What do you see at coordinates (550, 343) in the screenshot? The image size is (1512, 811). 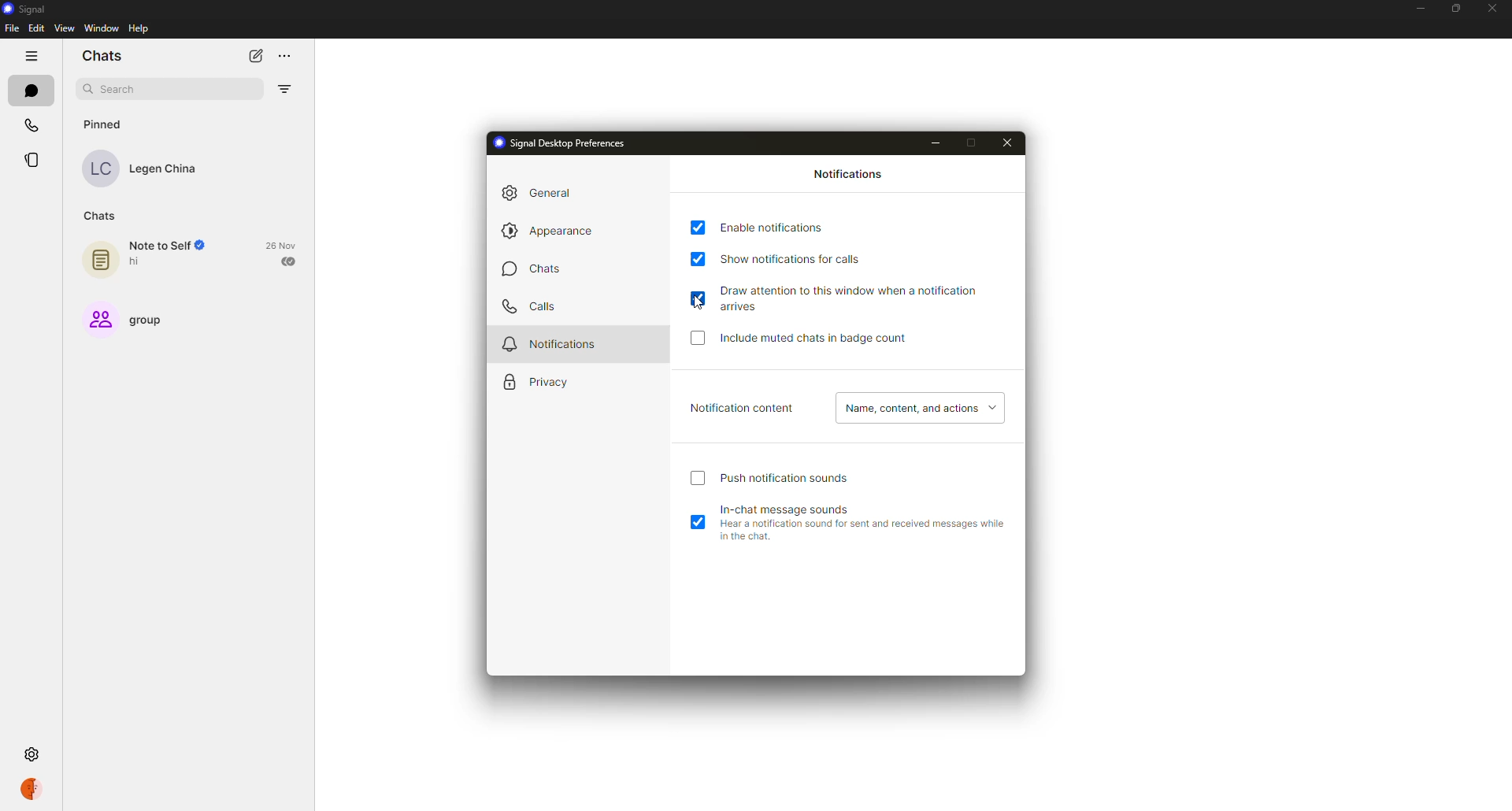 I see `notifications` at bounding box center [550, 343].